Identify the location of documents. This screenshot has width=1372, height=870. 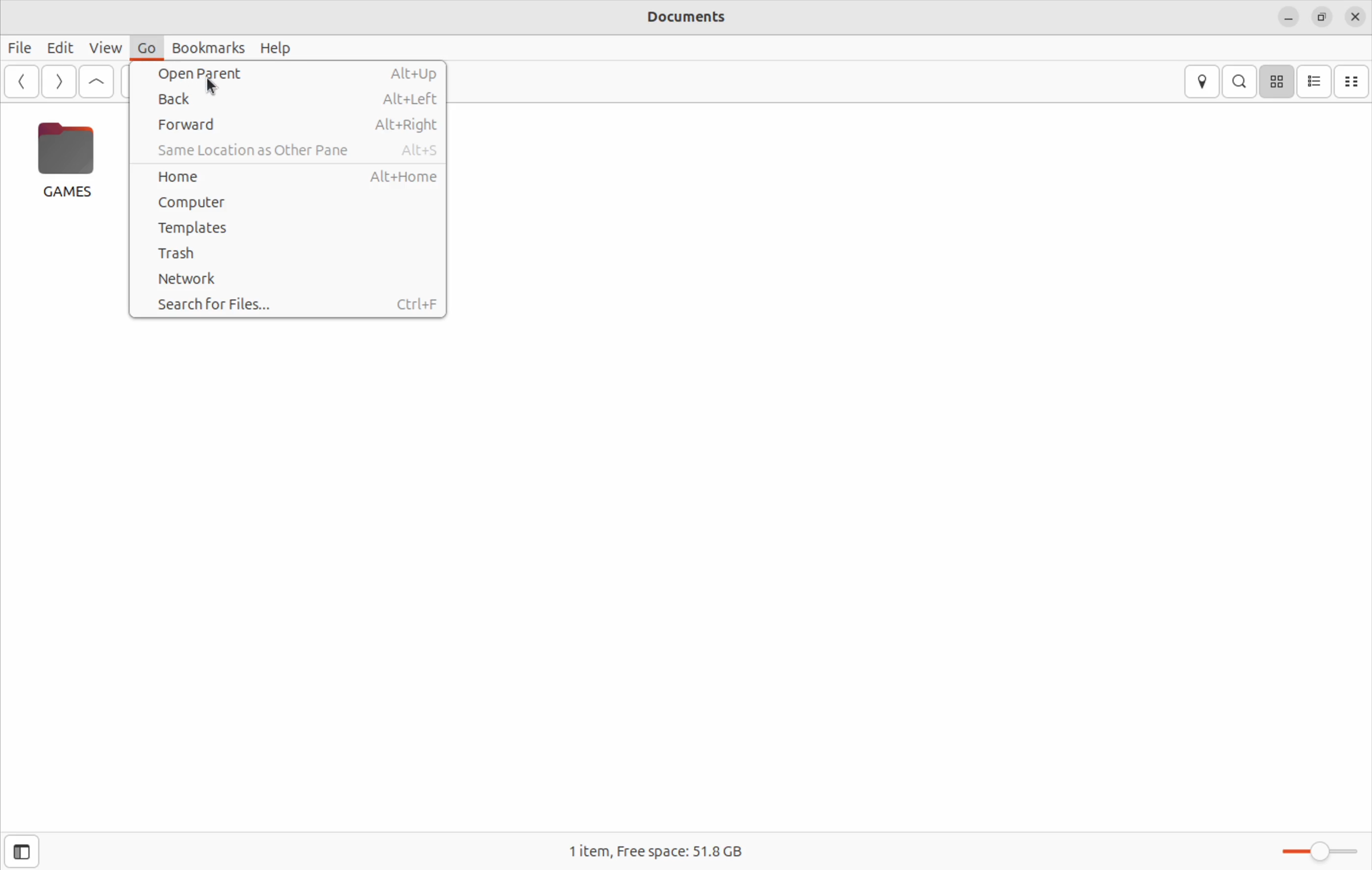
(697, 19).